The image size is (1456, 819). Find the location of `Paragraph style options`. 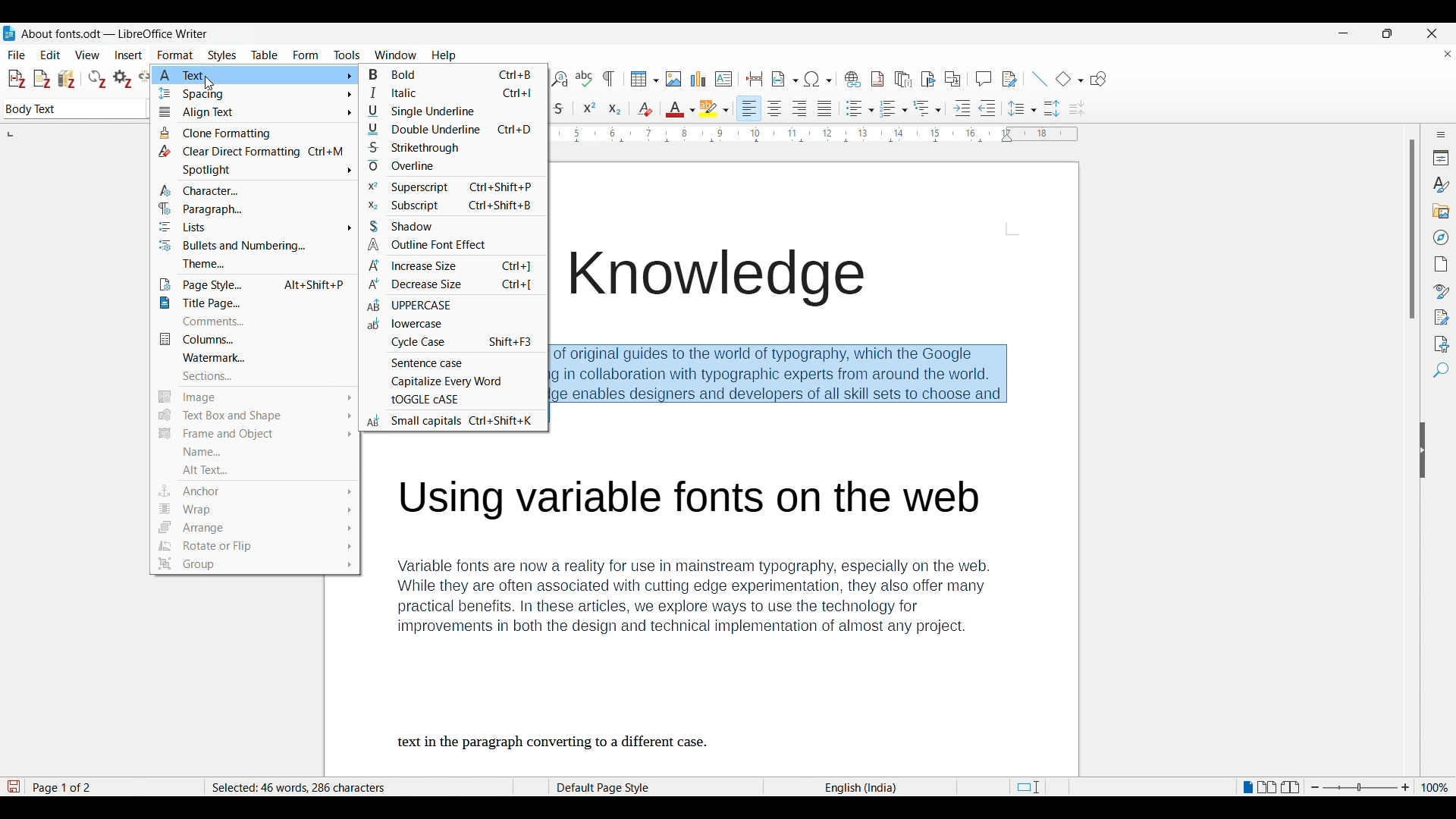

Paragraph style options is located at coordinates (75, 108).